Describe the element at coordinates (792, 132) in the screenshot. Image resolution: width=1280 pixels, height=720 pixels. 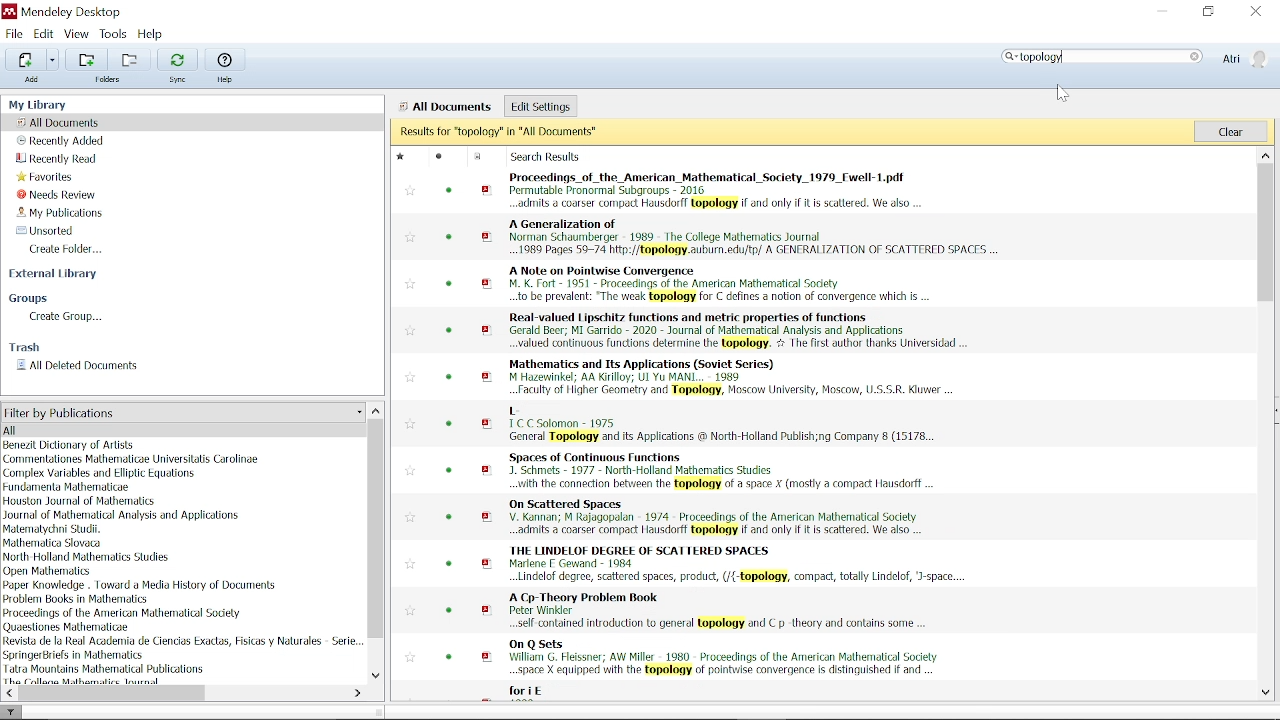
I see `results showing for "topology" in all documents` at that location.